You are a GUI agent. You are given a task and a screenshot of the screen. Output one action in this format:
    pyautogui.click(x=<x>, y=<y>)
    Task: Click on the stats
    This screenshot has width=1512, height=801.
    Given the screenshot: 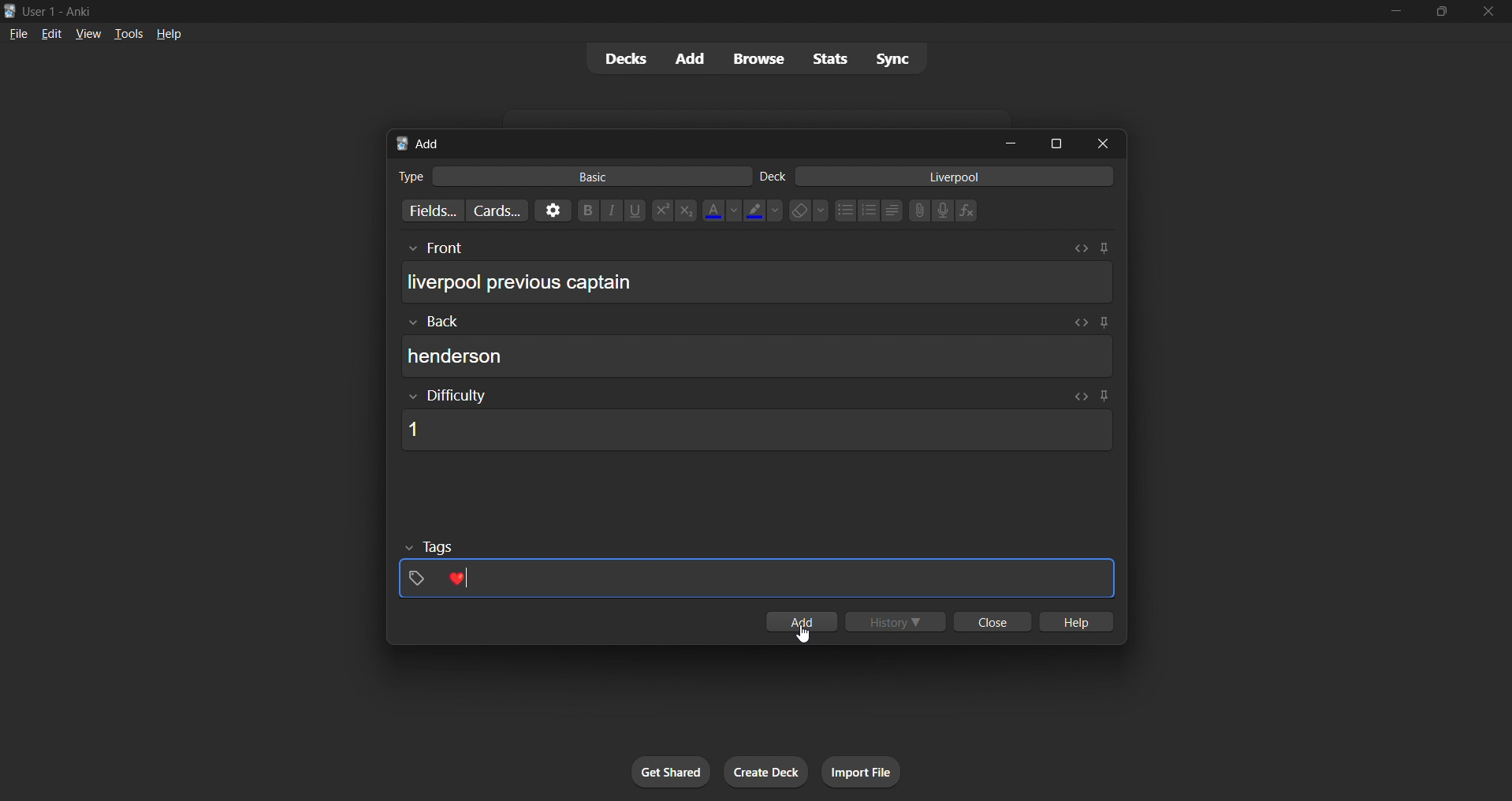 What is the action you would take?
    pyautogui.click(x=832, y=59)
    